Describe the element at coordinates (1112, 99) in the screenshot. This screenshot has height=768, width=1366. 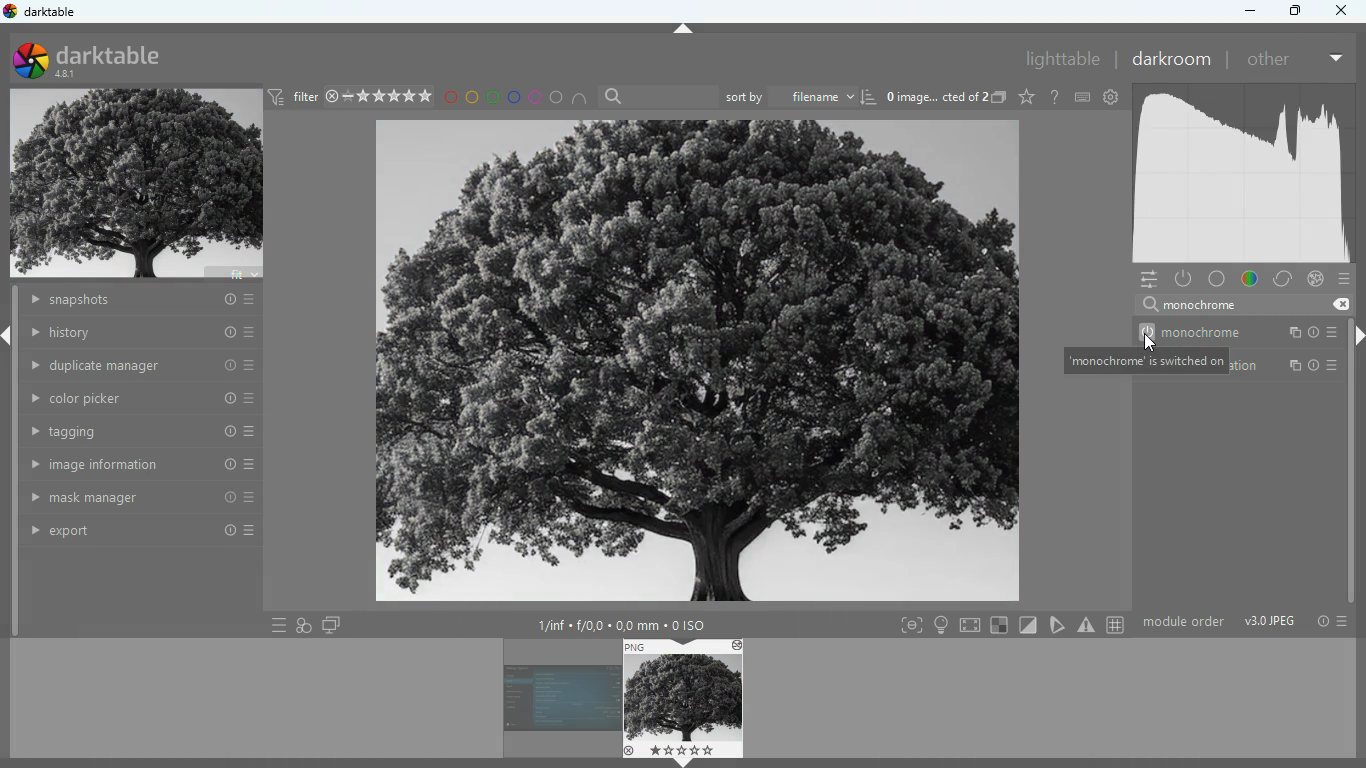
I see `settings` at that location.